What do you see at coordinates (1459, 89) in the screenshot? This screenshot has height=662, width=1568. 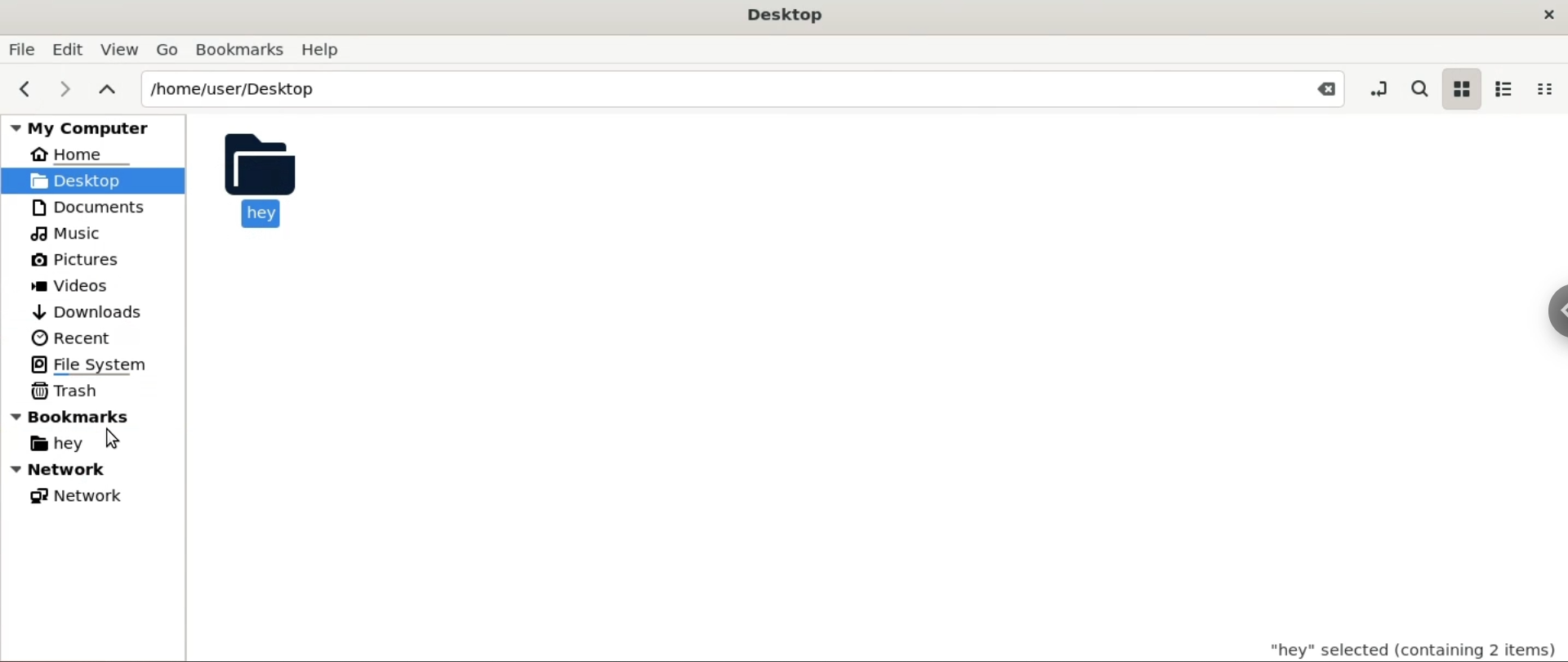 I see `icon view` at bounding box center [1459, 89].